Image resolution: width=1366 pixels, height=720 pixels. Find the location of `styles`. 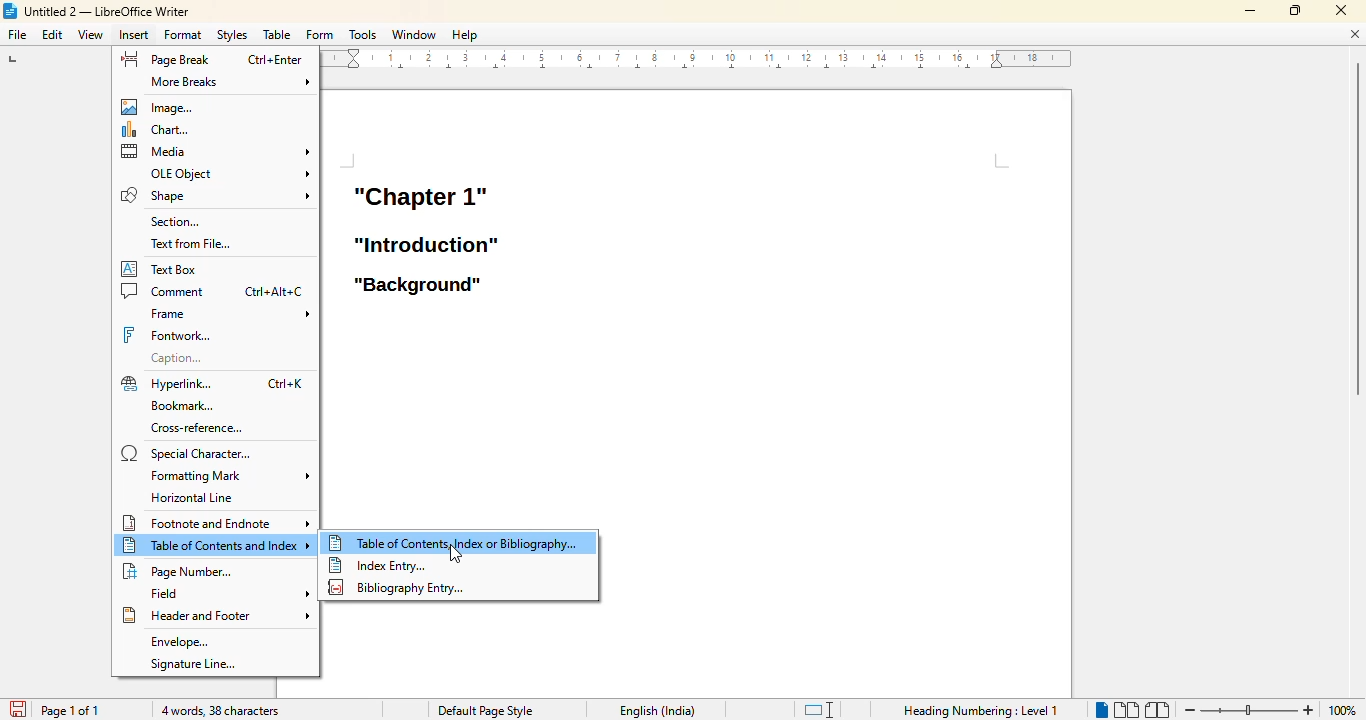

styles is located at coordinates (232, 34).